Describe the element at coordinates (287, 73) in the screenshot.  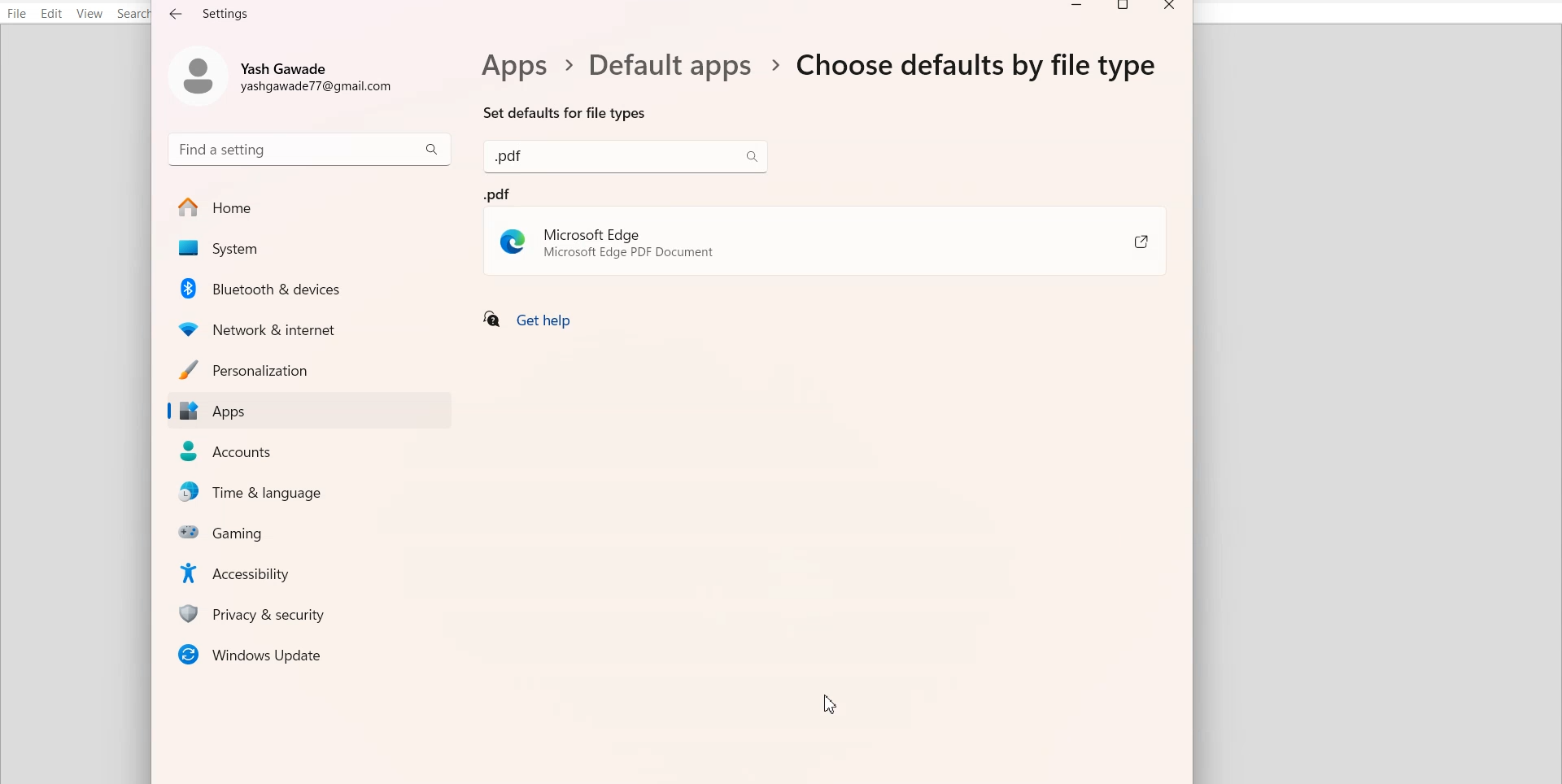
I see `Account` at that location.